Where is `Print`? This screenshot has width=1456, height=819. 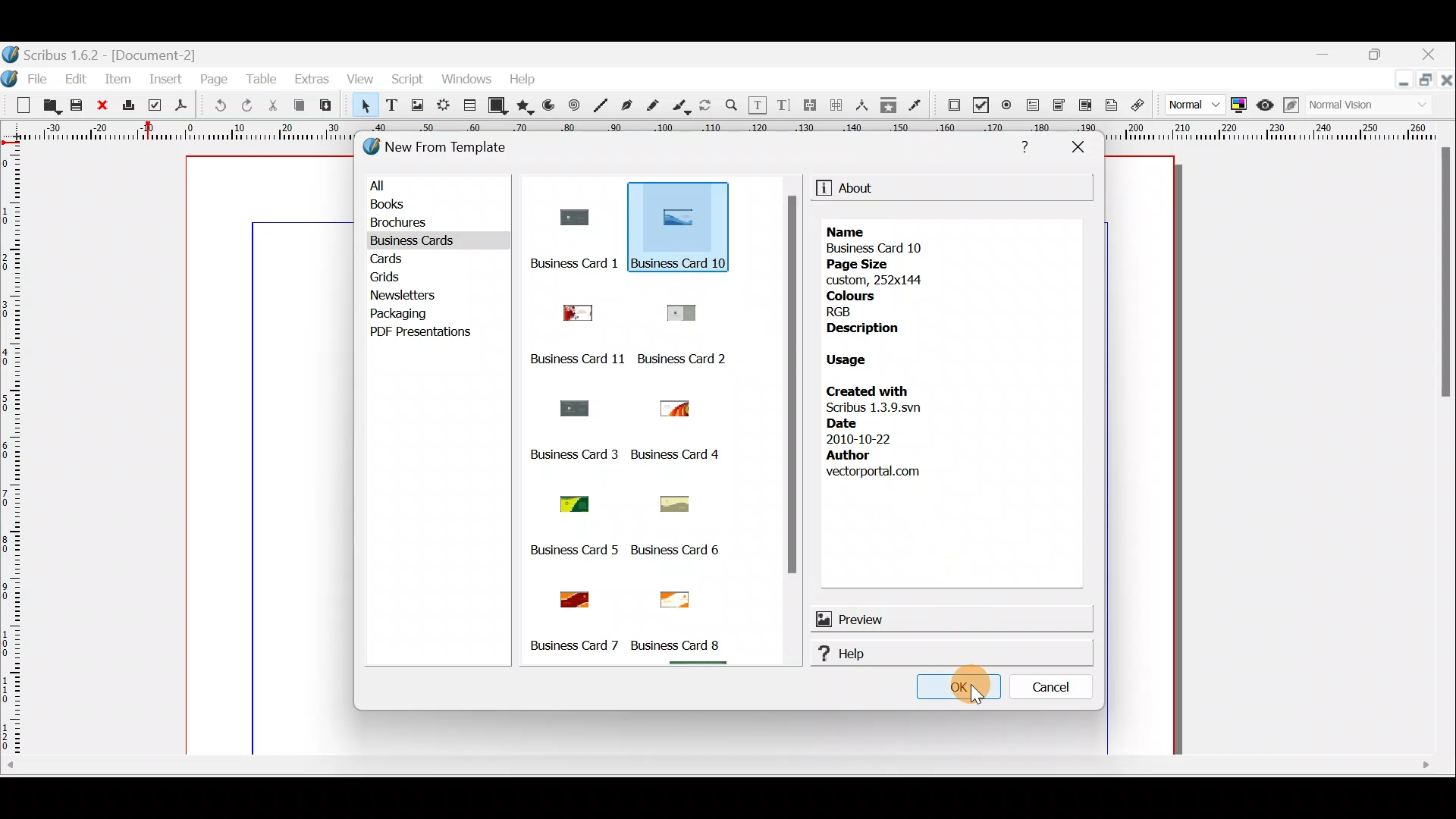
Print is located at coordinates (128, 107).